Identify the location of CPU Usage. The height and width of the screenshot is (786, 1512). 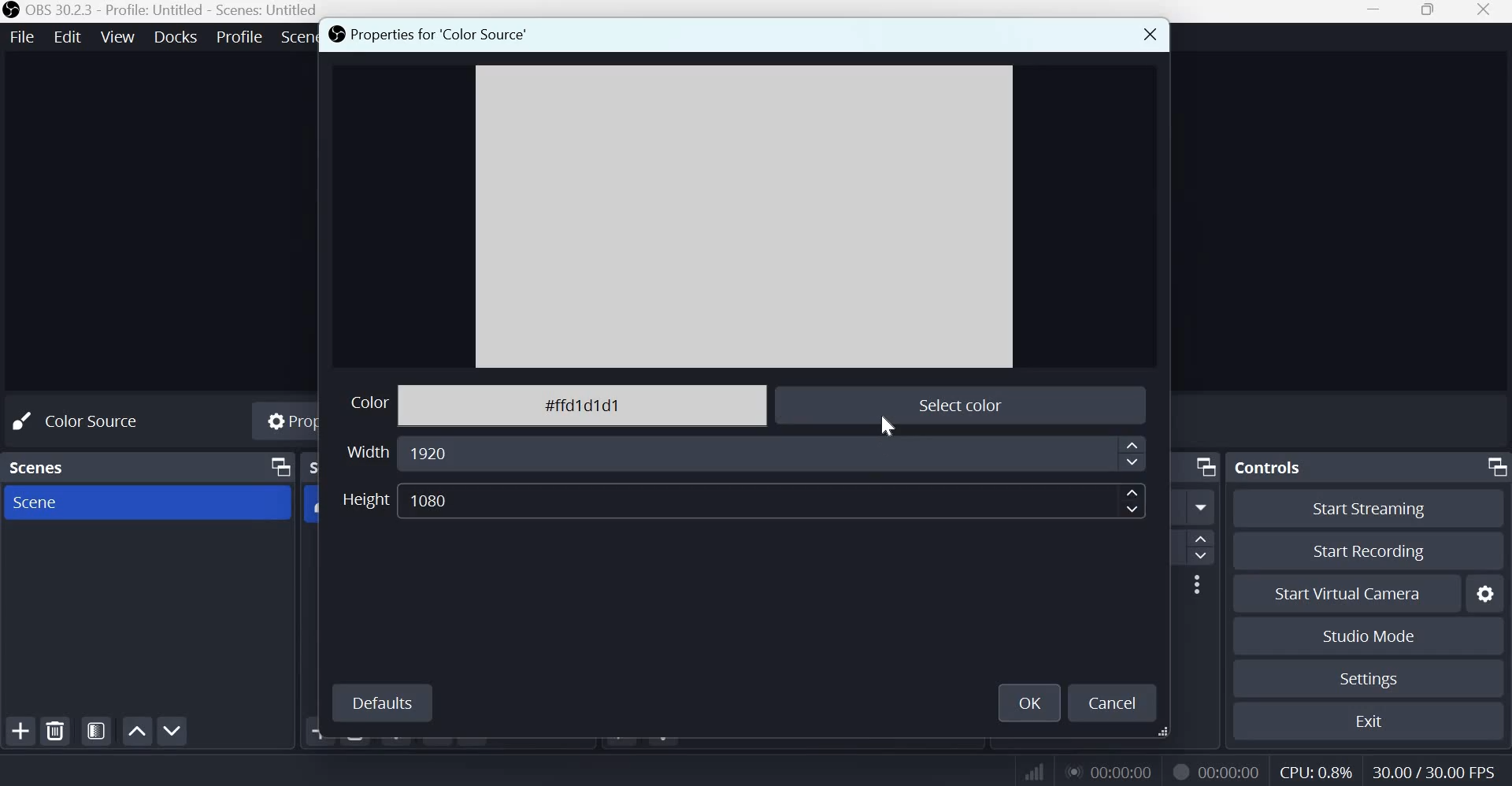
(1314, 773).